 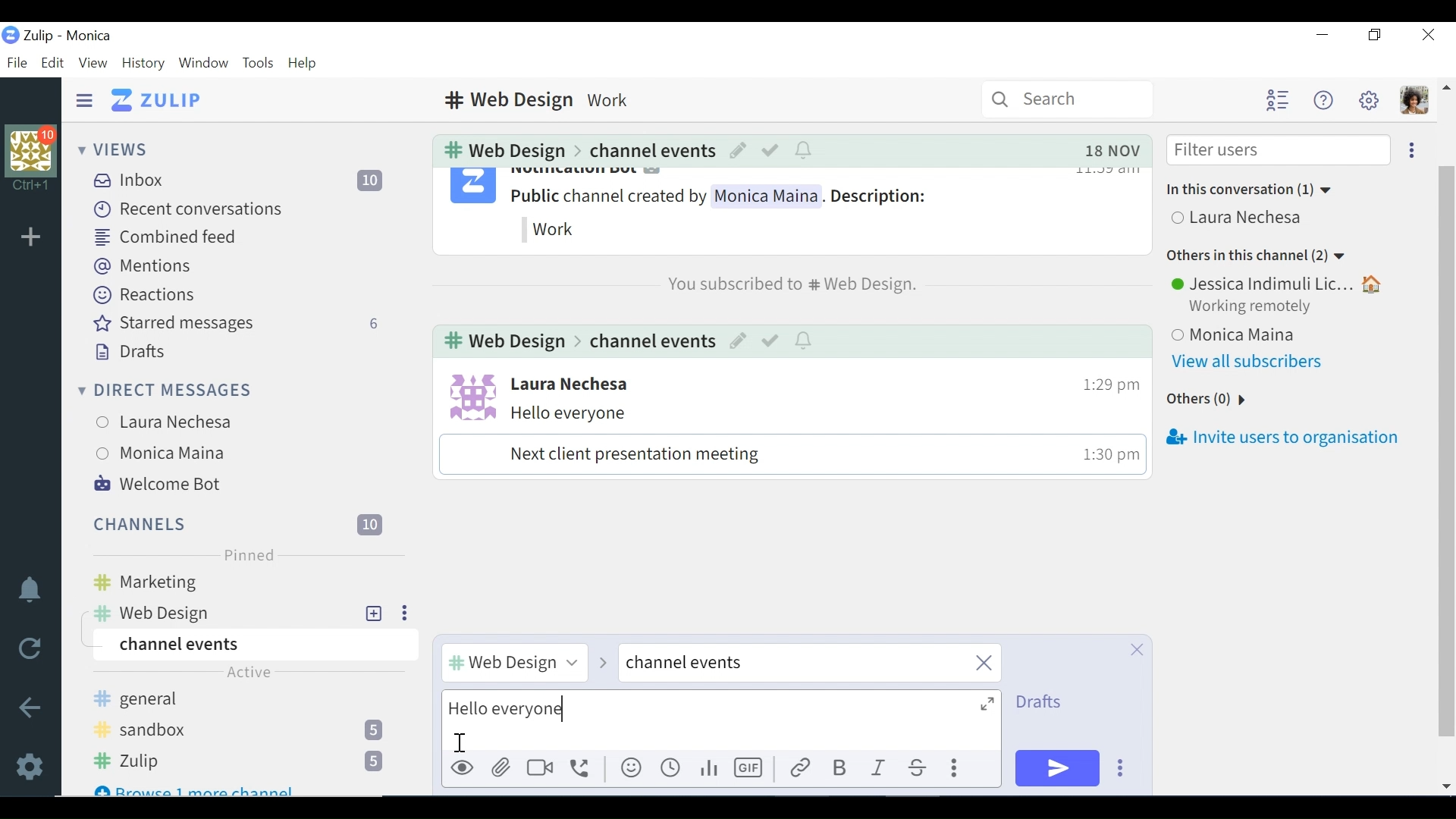 What do you see at coordinates (1413, 101) in the screenshot?
I see `Personal menu` at bounding box center [1413, 101].